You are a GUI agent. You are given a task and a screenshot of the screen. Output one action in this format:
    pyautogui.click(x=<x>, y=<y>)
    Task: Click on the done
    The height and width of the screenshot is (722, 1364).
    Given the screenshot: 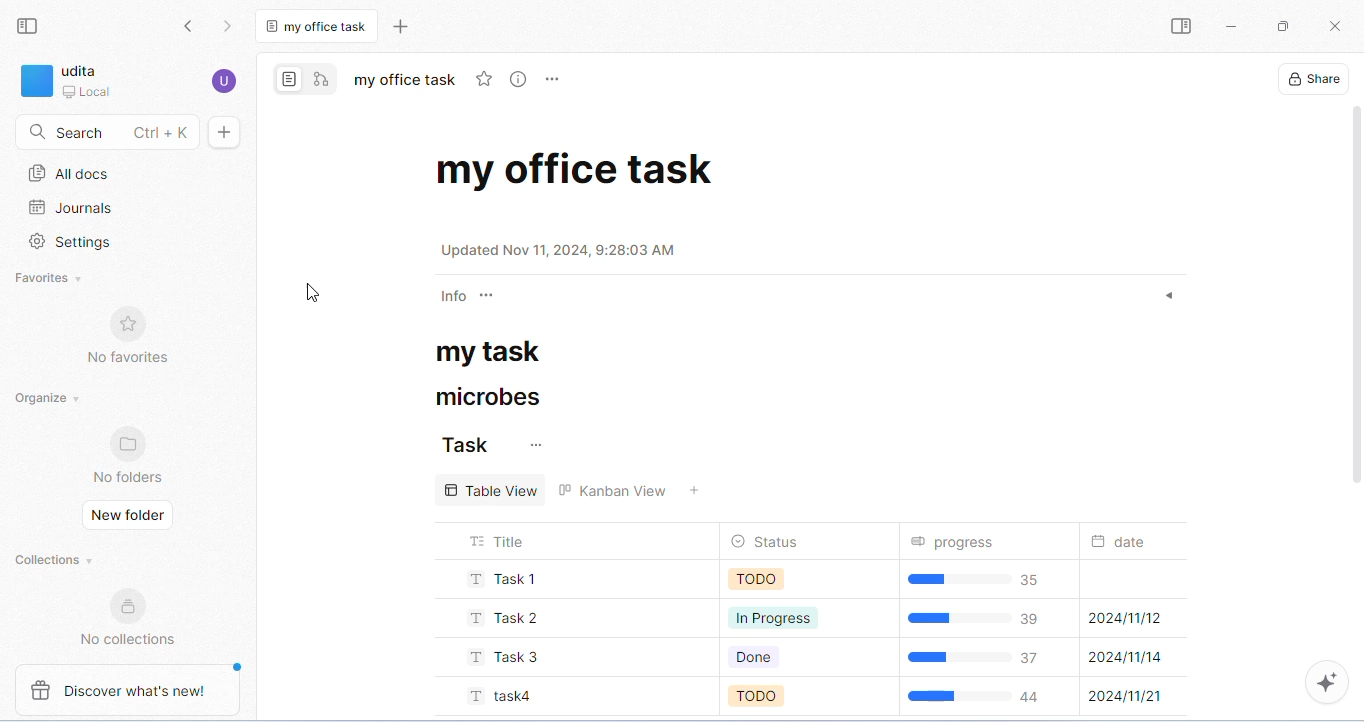 What is the action you would take?
    pyautogui.click(x=772, y=657)
    